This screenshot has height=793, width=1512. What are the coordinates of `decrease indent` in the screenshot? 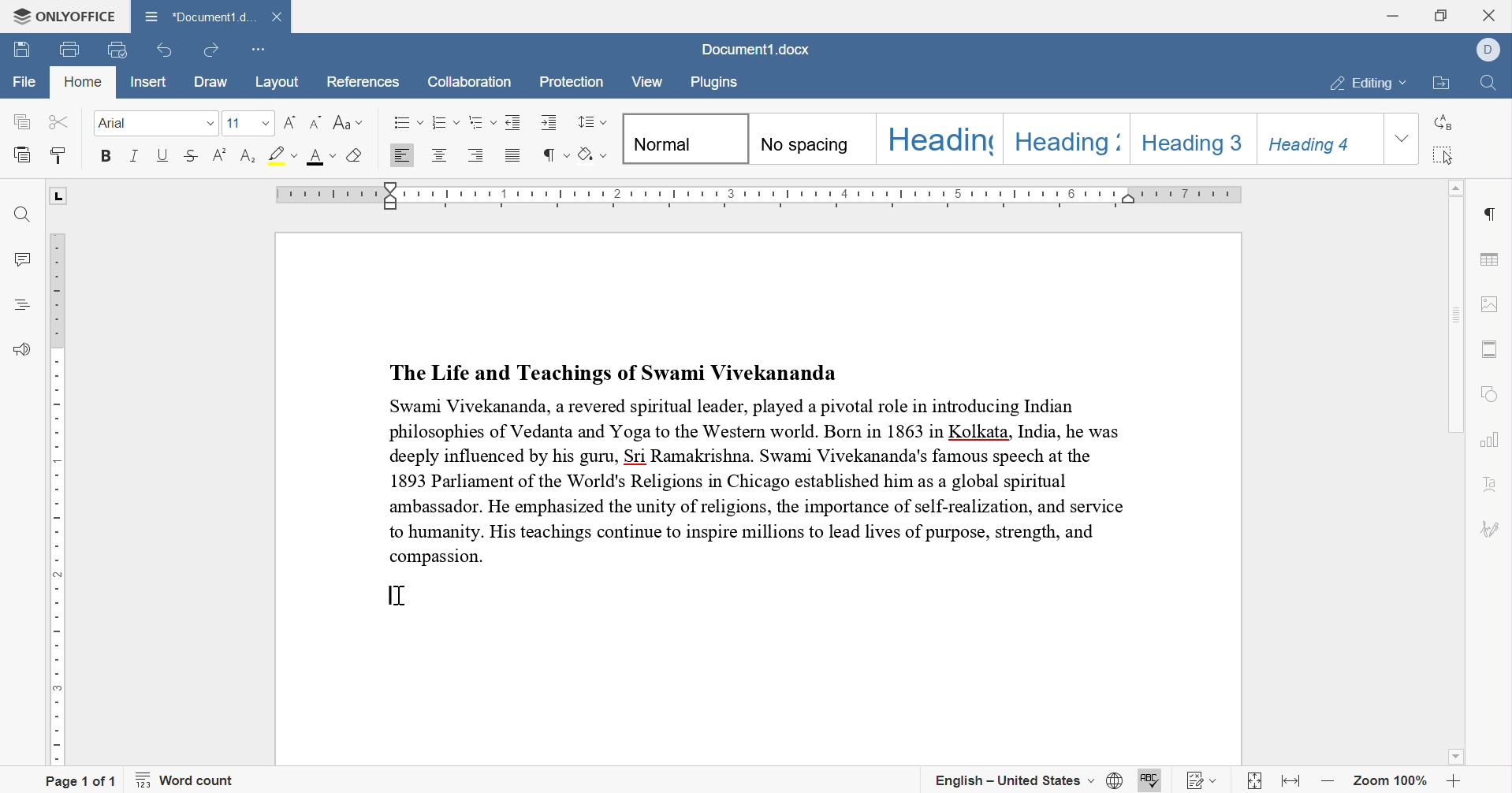 It's located at (515, 122).